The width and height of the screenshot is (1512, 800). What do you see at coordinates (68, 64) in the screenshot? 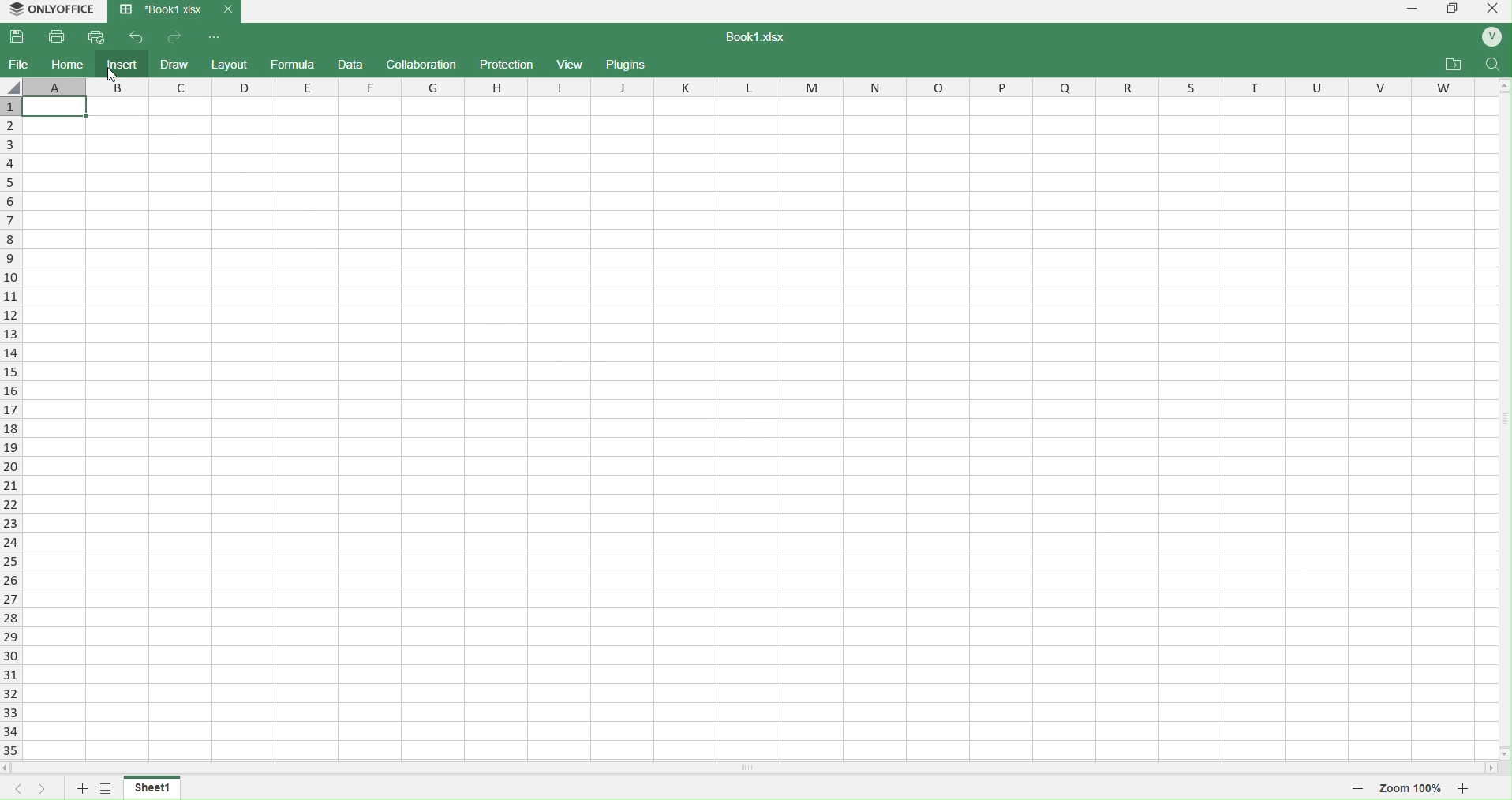
I see `home` at bounding box center [68, 64].